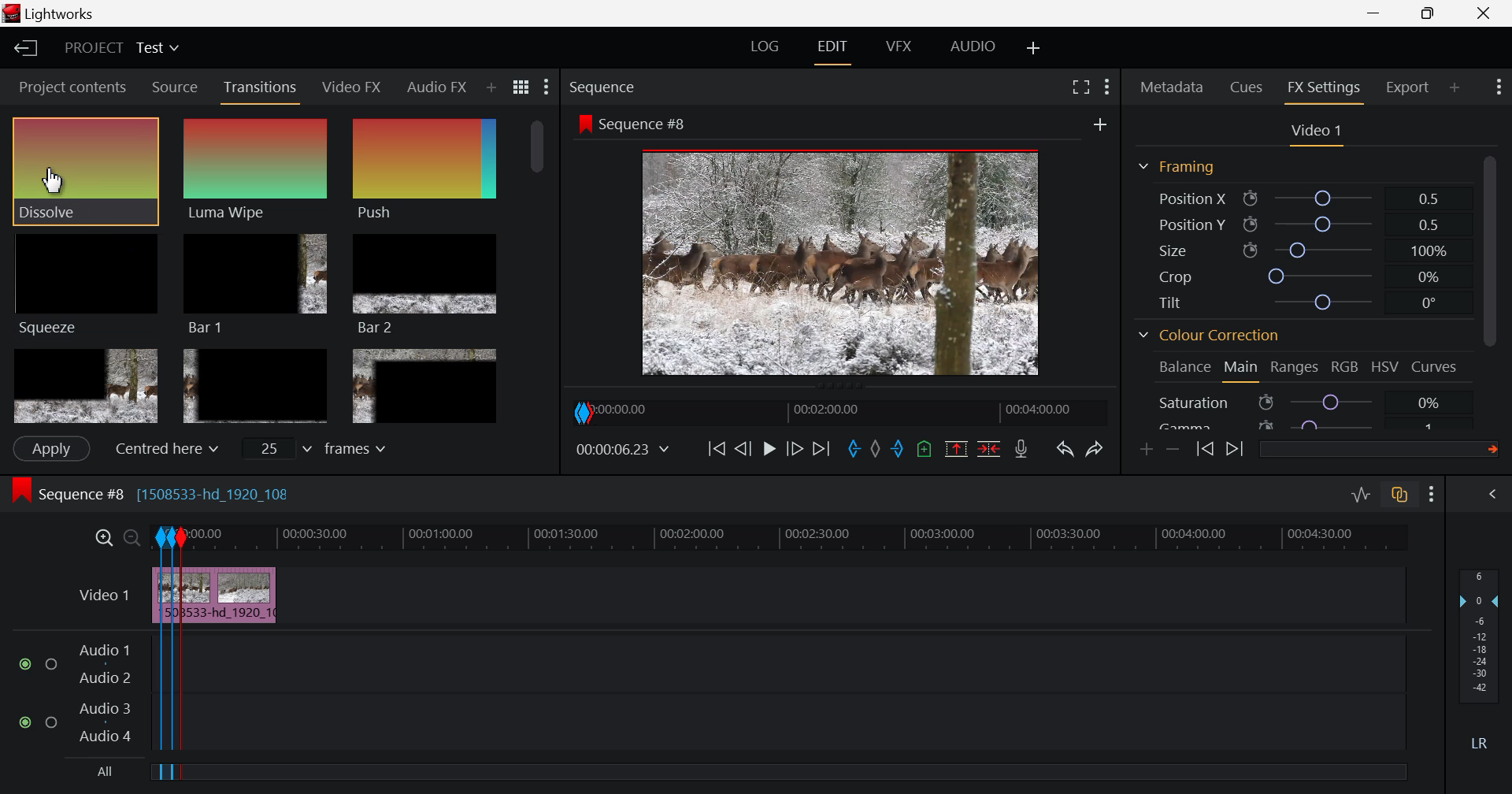 This screenshot has height=794, width=1512. I want to click on Delete/Cut, so click(989, 447).